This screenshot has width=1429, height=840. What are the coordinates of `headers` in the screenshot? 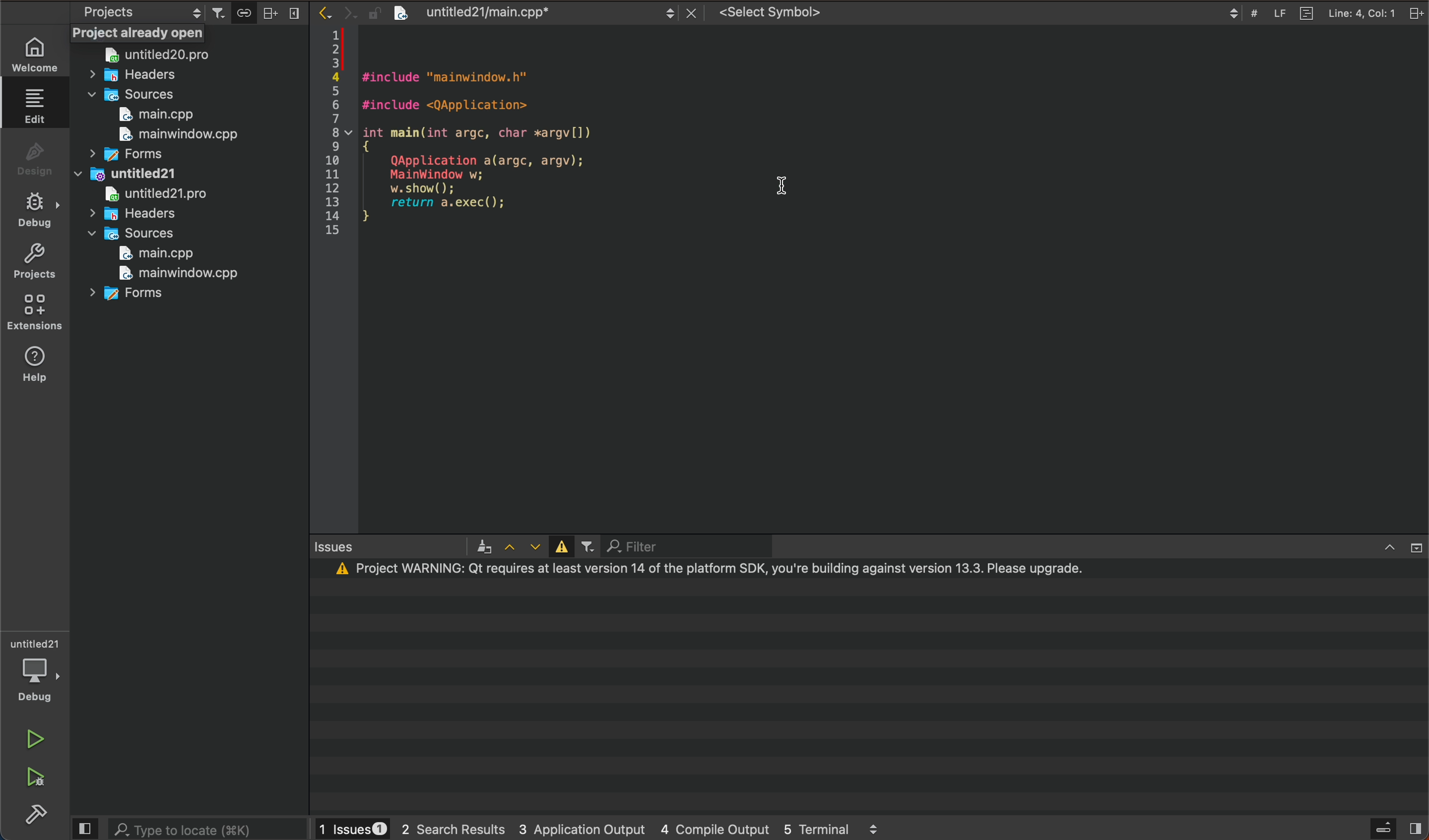 It's located at (141, 76).